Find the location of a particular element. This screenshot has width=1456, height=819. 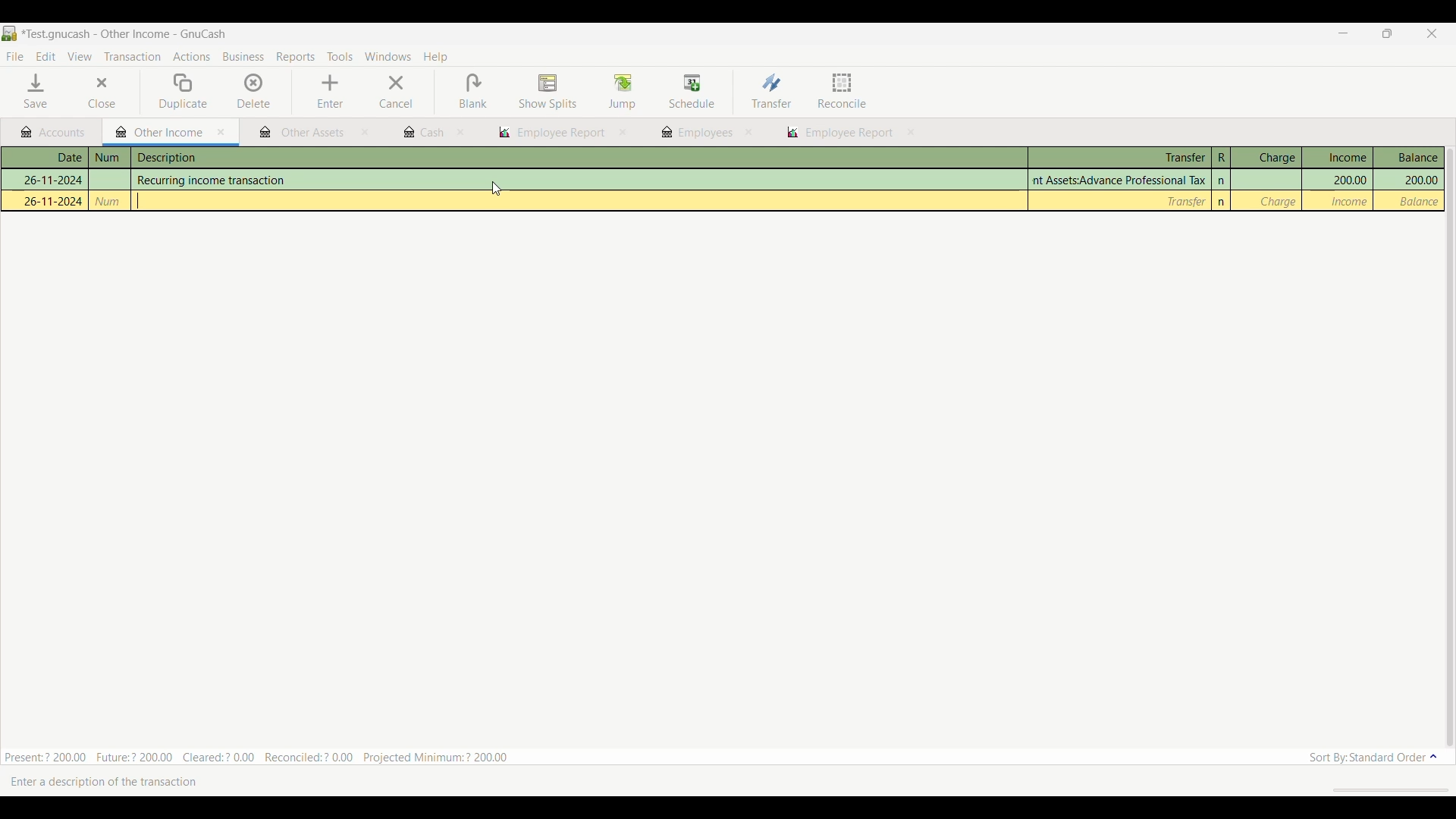

| Balance is located at coordinates (1414, 203).